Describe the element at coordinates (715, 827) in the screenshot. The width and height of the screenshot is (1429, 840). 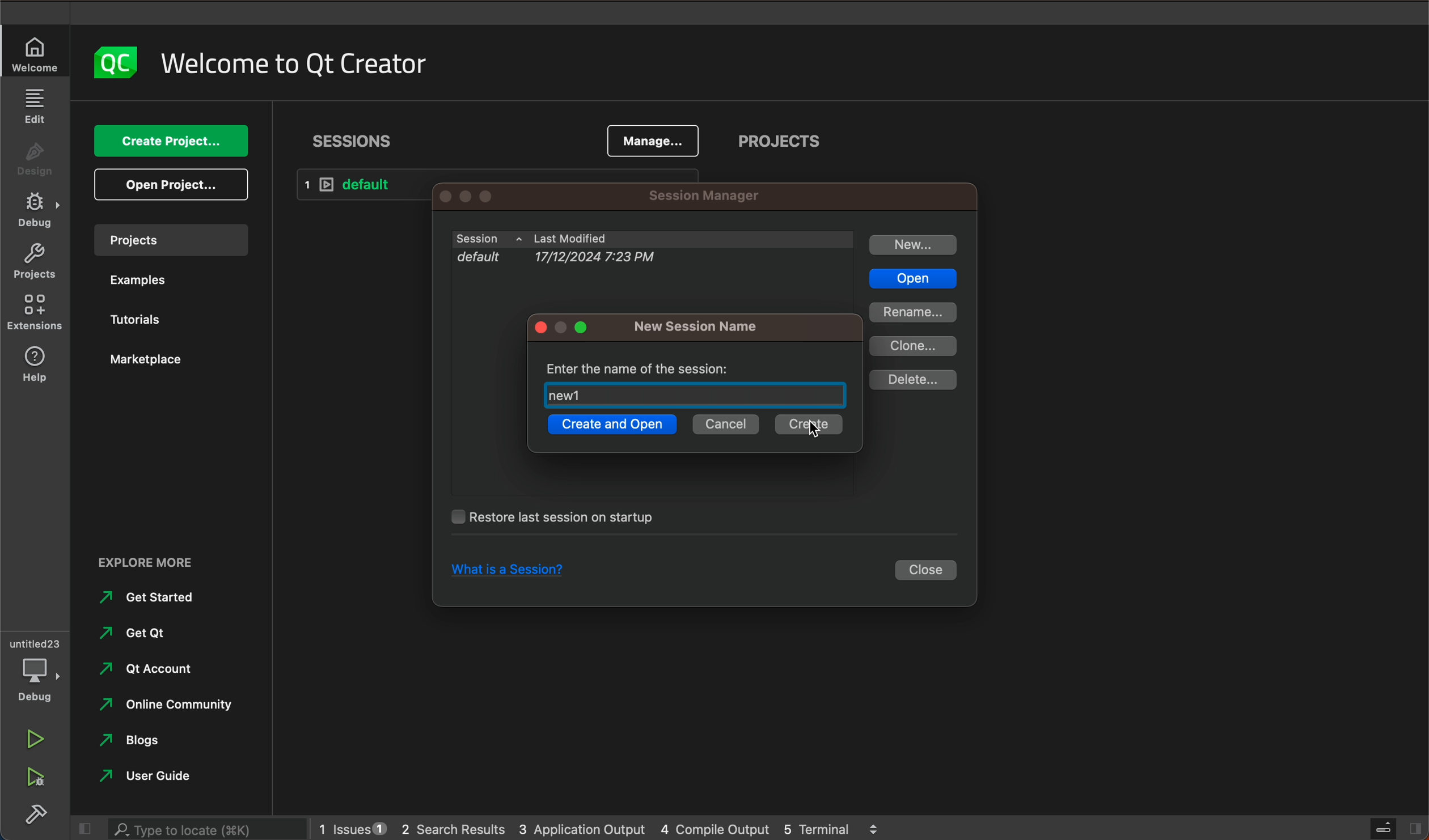
I see `compile output` at that location.